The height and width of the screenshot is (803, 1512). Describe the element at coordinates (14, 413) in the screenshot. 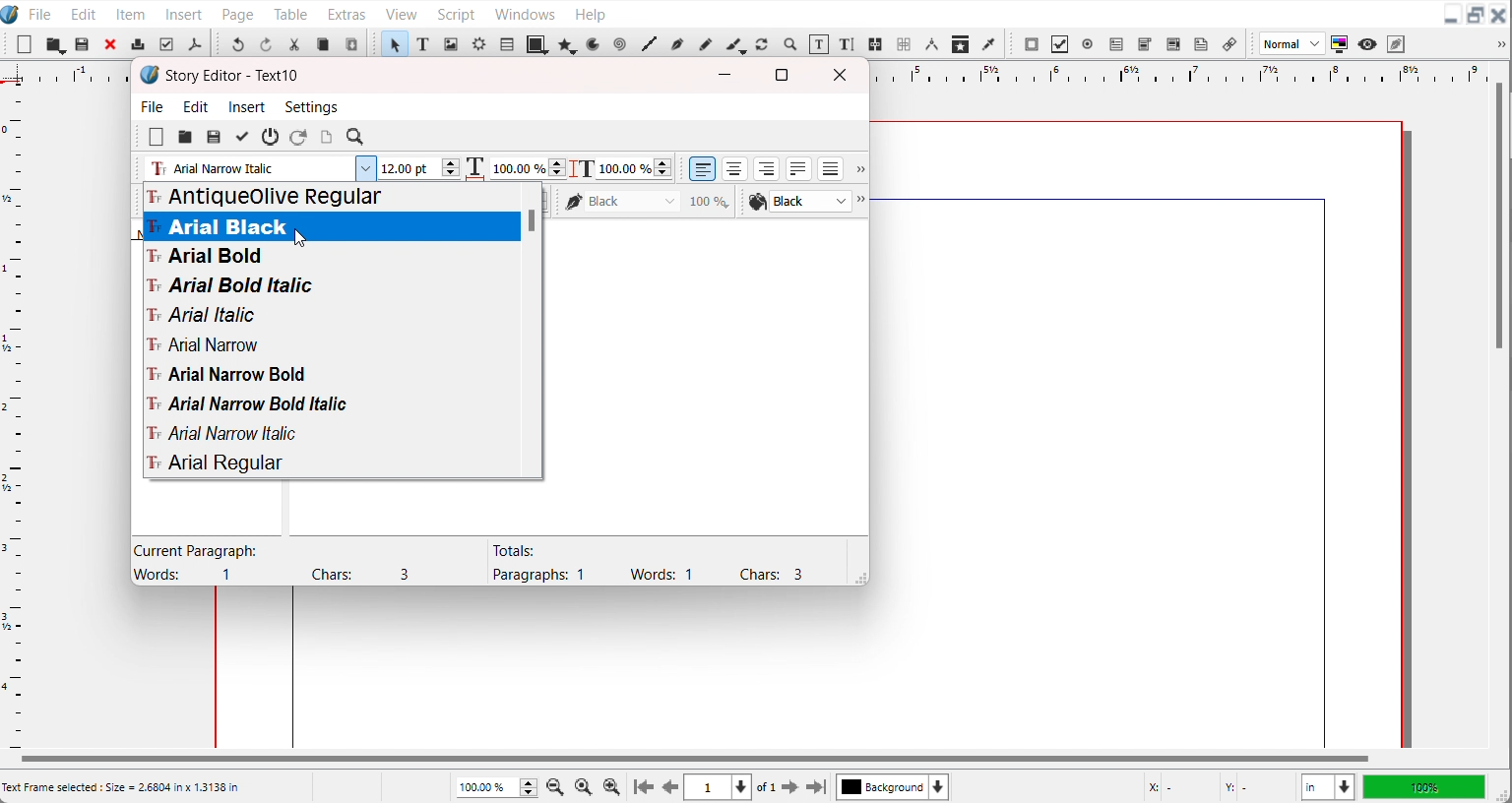

I see `Vertical Scale` at that location.